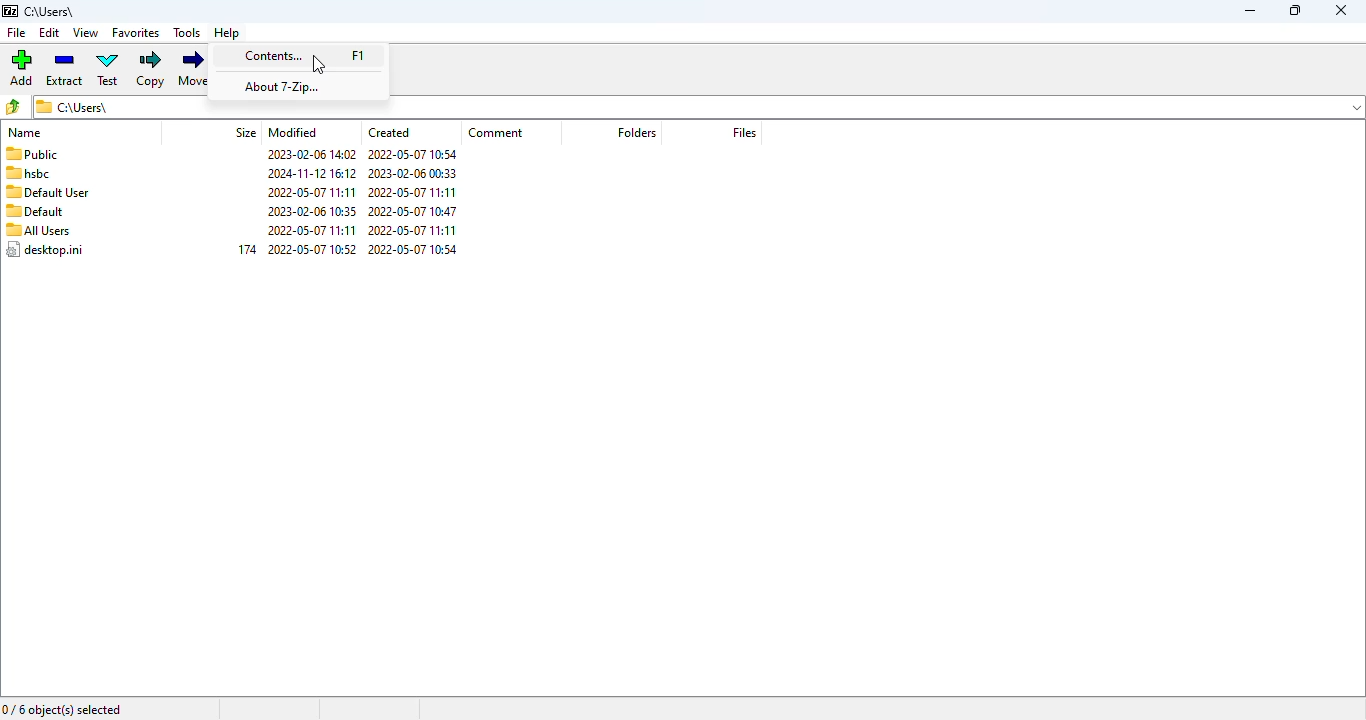  I want to click on created date and time, so click(414, 202).